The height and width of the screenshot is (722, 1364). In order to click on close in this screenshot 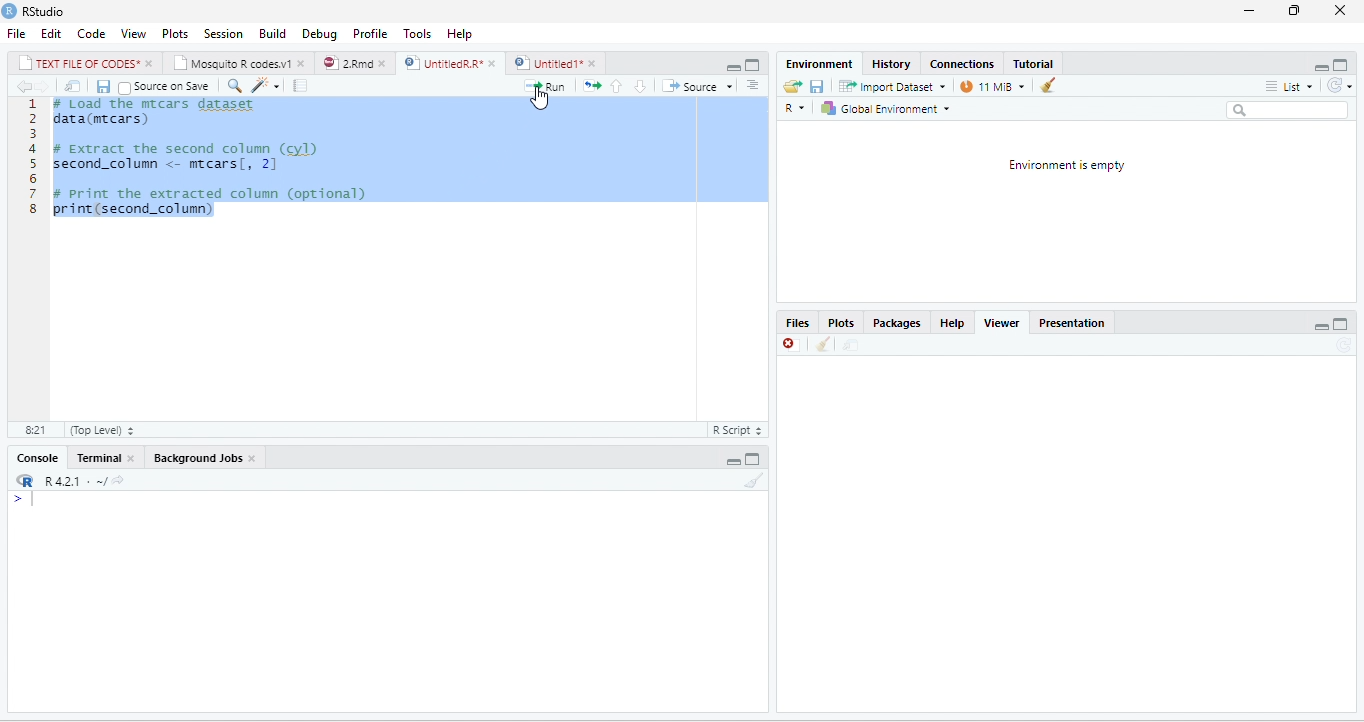, I will do `click(133, 458)`.